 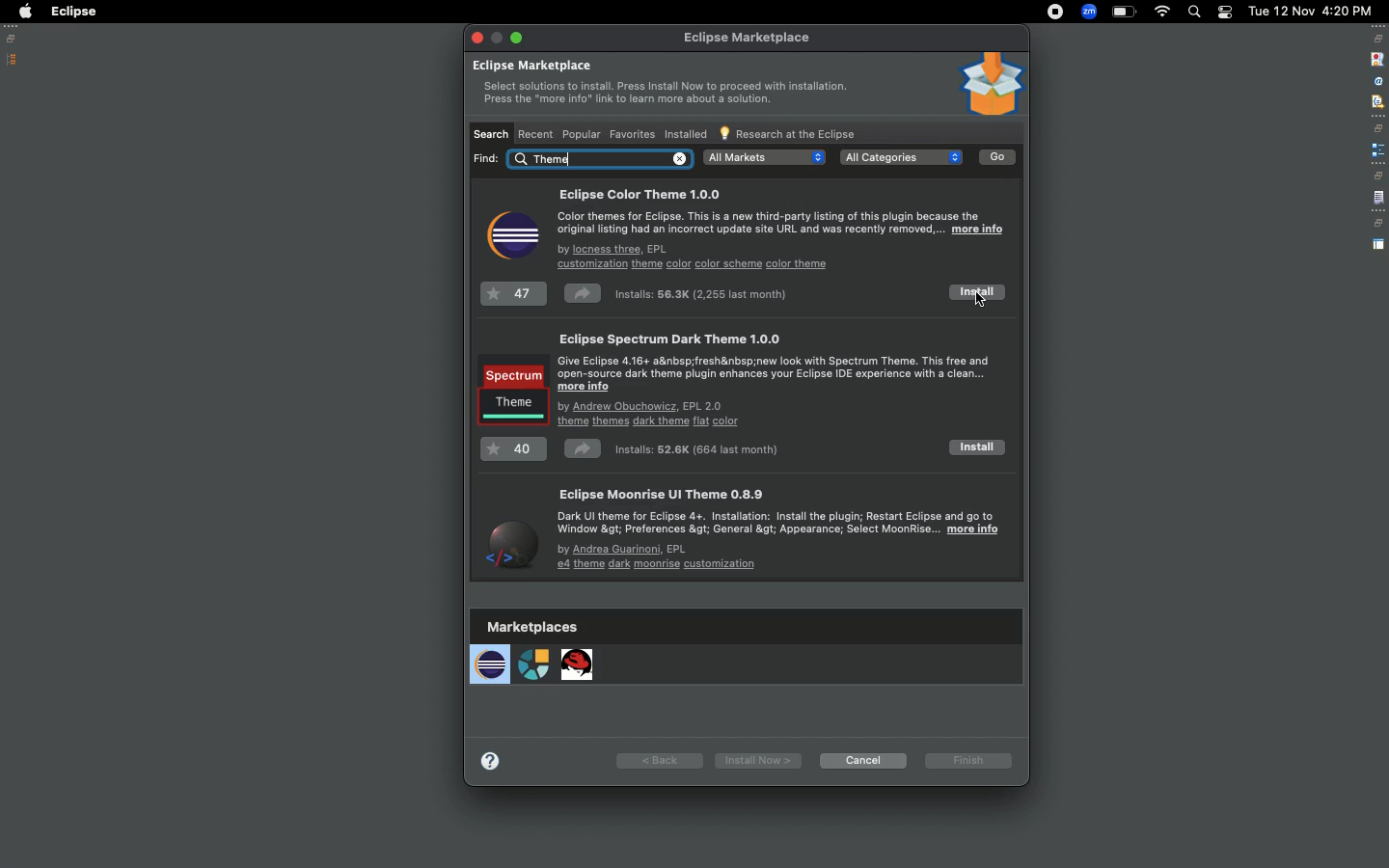 What do you see at coordinates (73, 12) in the screenshot?
I see `Eclipse` at bounding box center [73, 12].